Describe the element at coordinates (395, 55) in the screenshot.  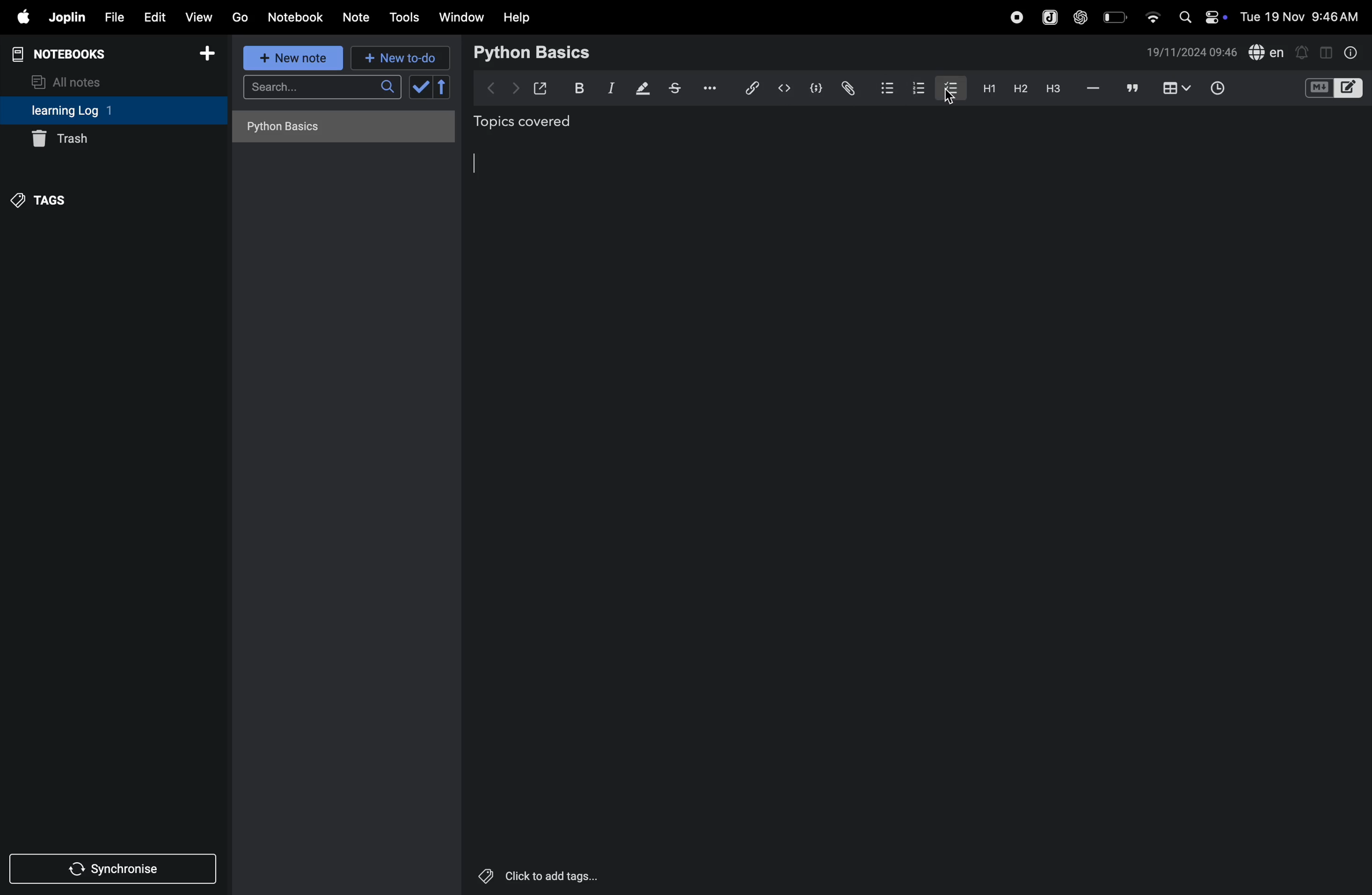
I see `new to do` at that location.